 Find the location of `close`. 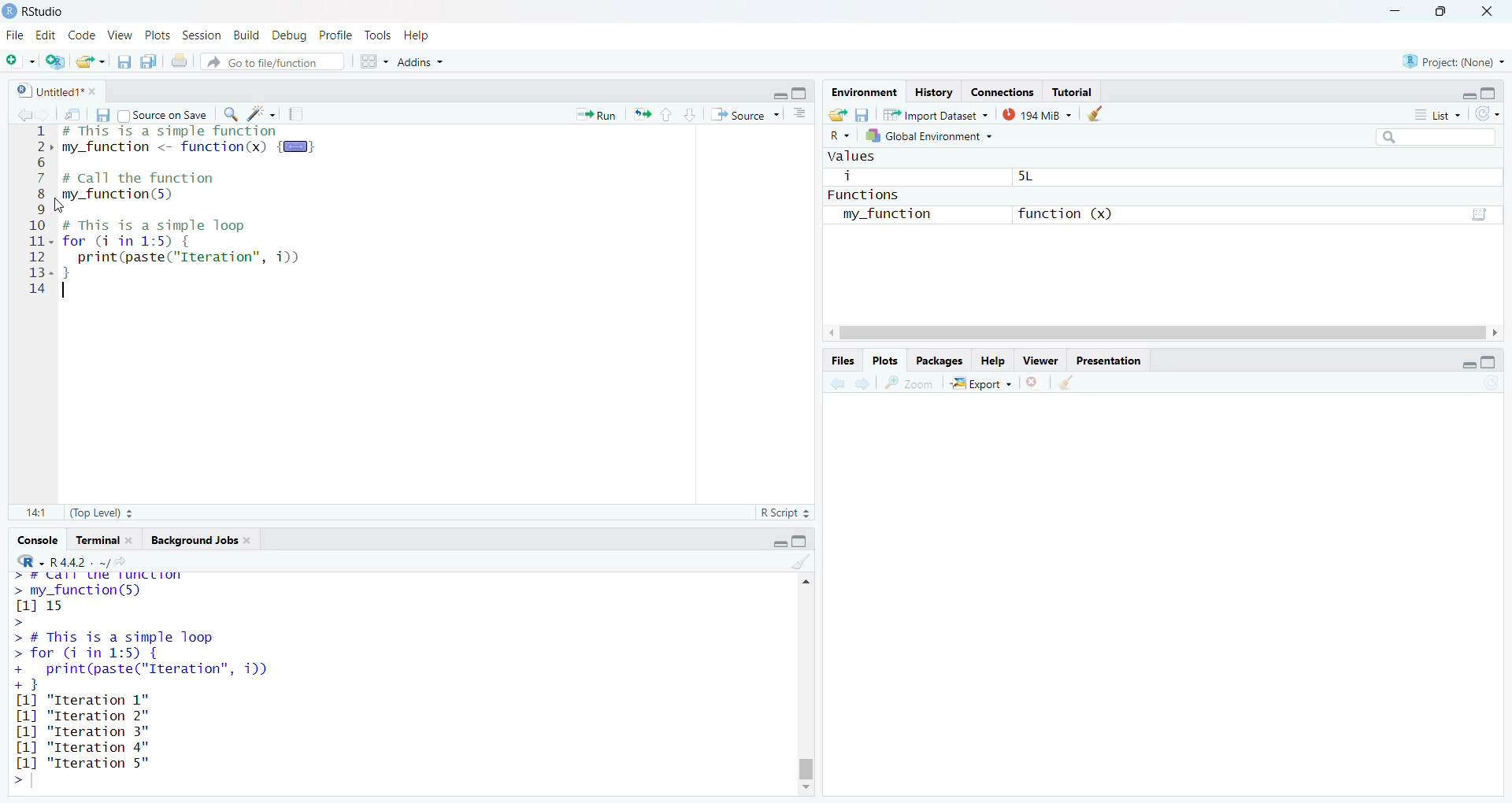

close is located at coordinates (98, 91).